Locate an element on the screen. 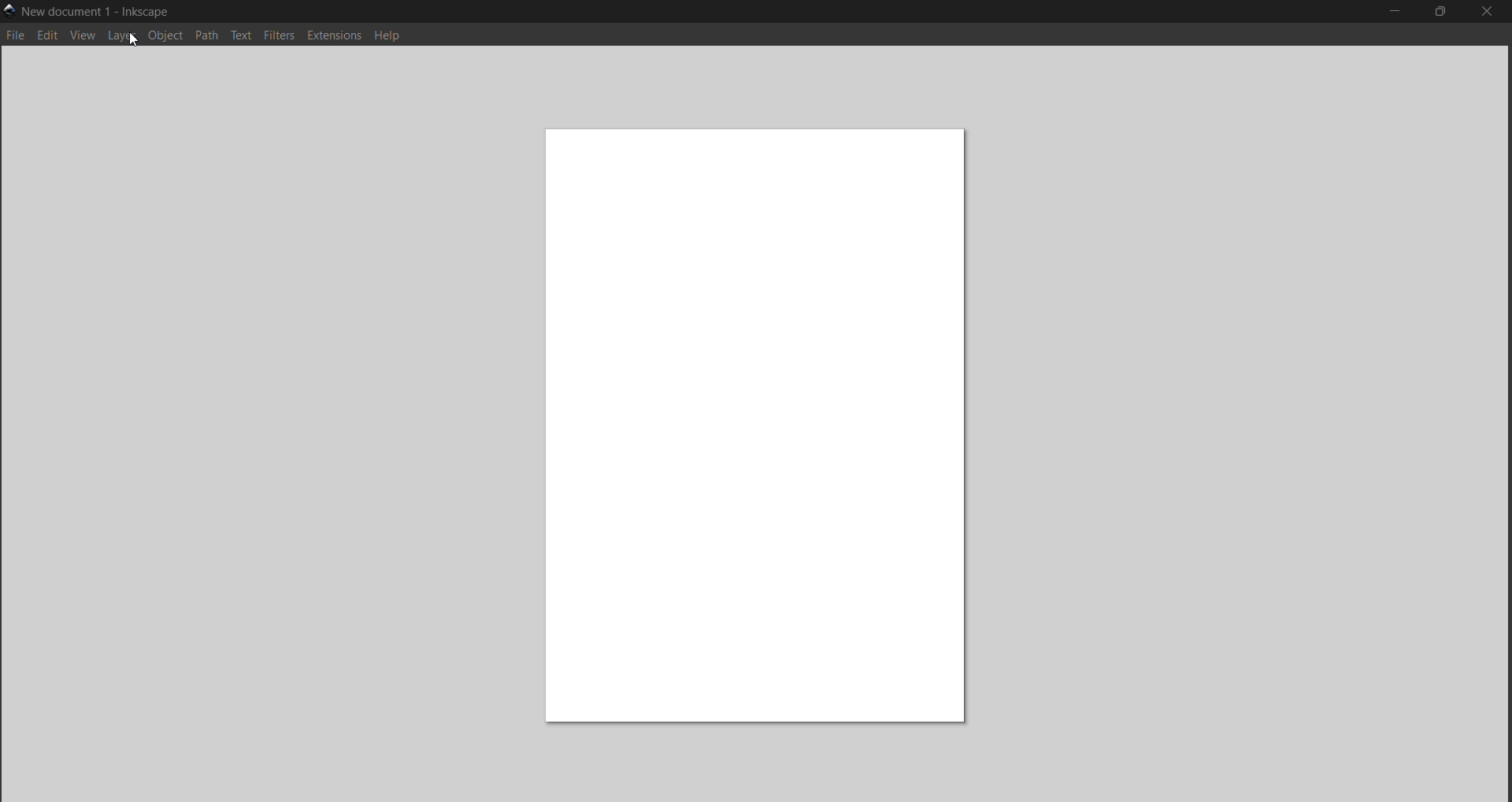 The width and height of the screenshot is (1512, 802). canvas is located at coordinates (759, 419).